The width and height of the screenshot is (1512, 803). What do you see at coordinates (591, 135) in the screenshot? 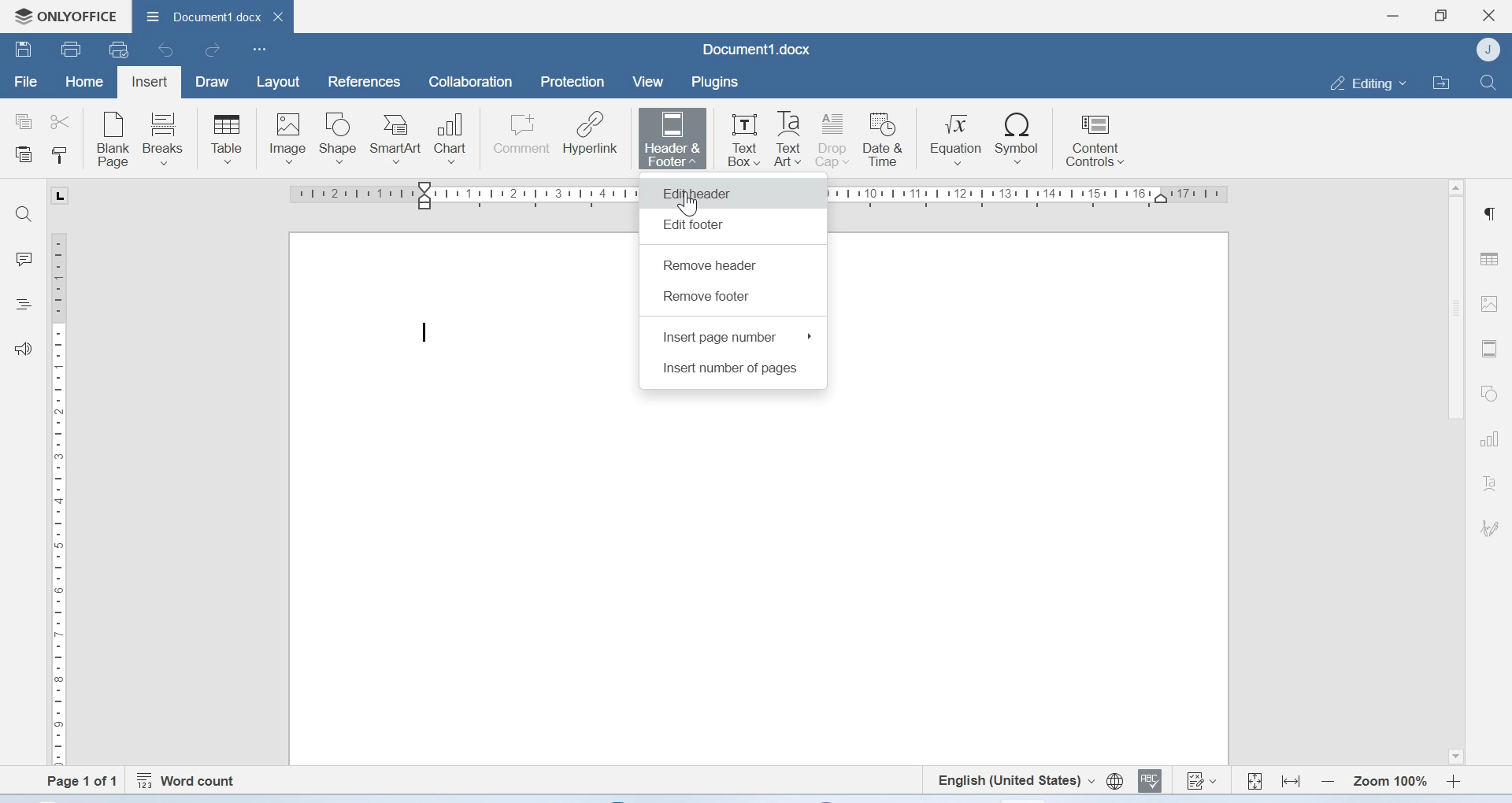
I see `Hyperlink` at bounding box center [591, 135].